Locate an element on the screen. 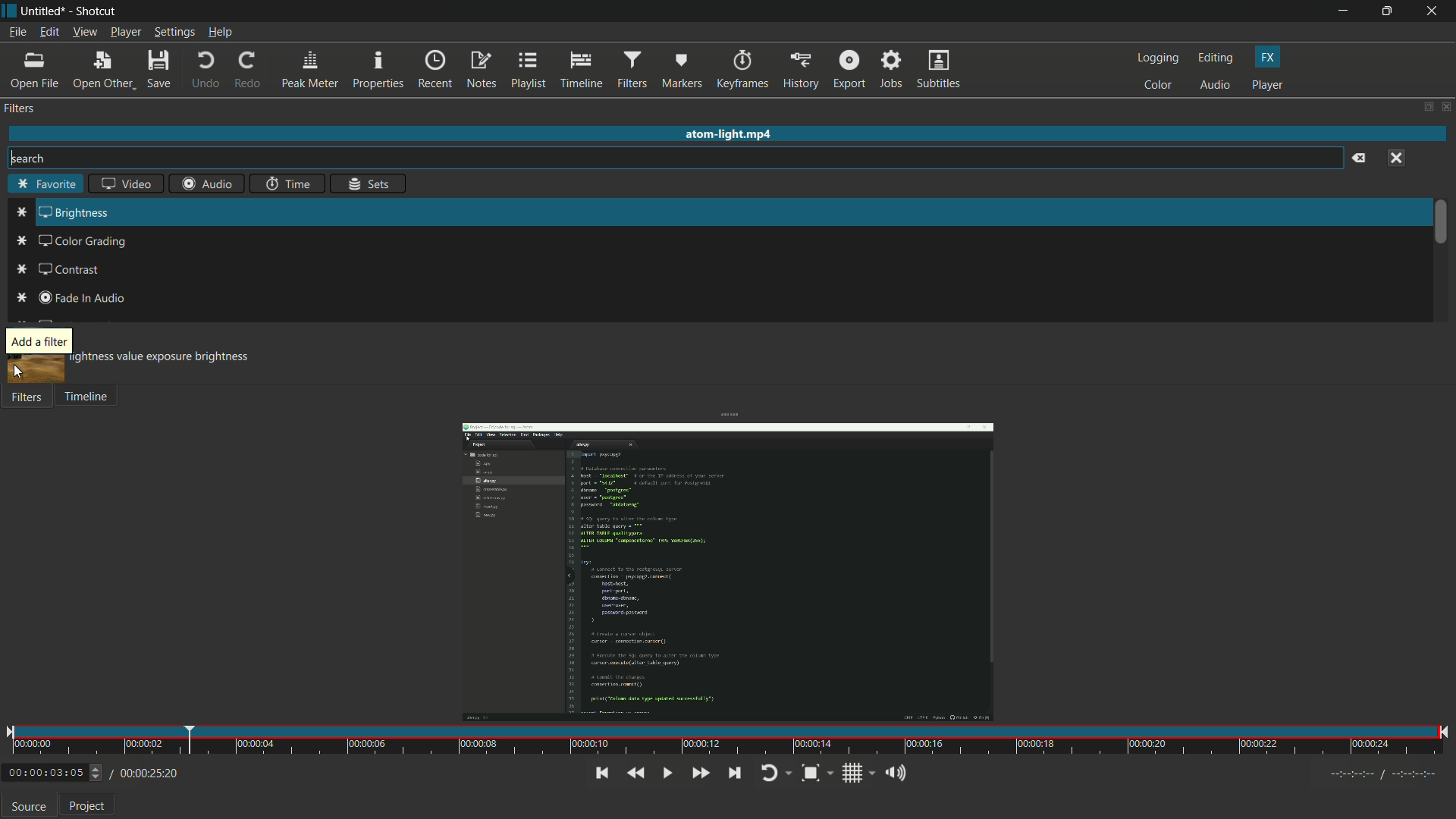 This screenshot has width=1456, height=819. filters is located at coordinates (25, 398).